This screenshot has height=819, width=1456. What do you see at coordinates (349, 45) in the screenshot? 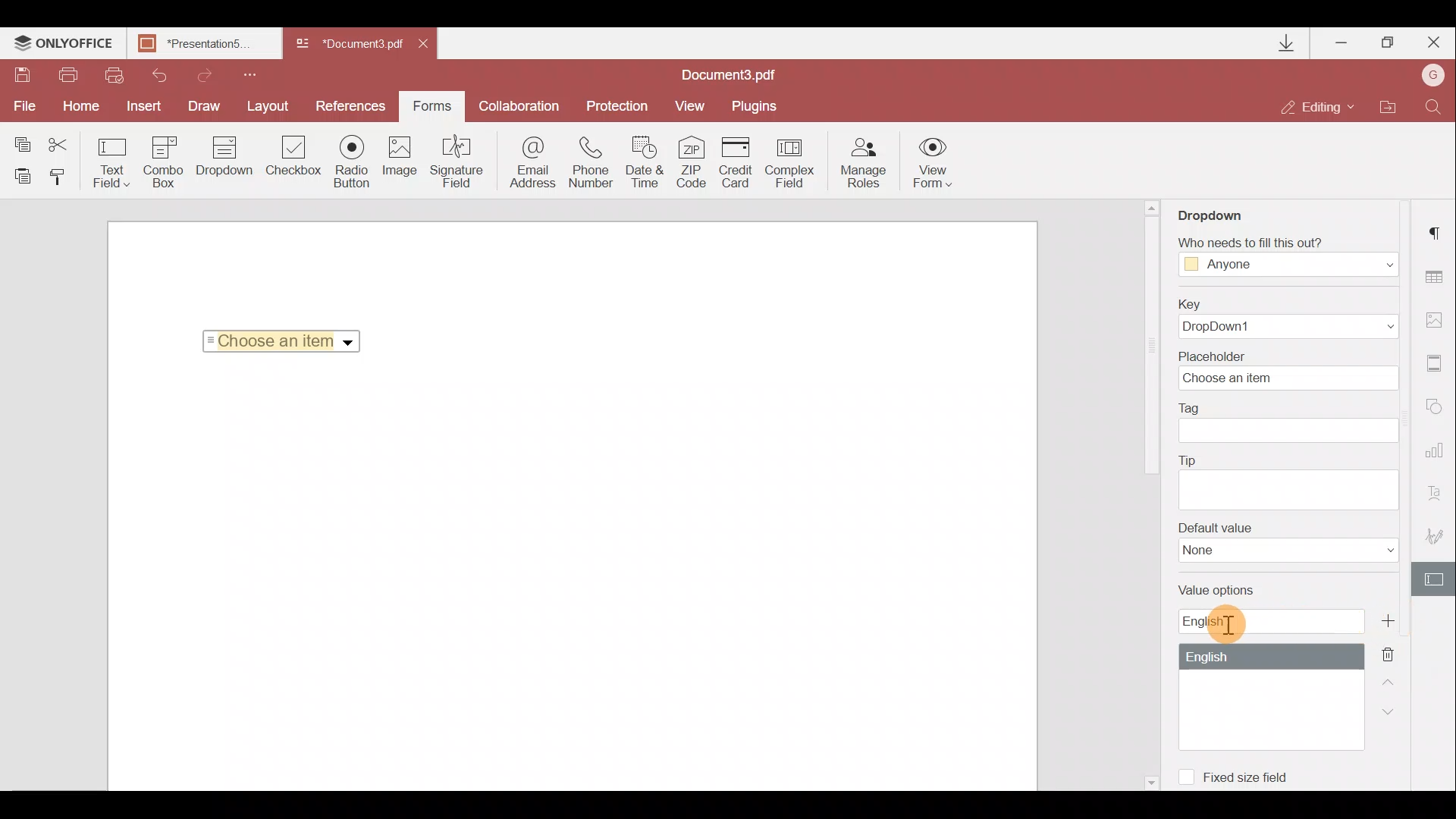
I see `Document3.pdf` at bounding box center [349, 45].